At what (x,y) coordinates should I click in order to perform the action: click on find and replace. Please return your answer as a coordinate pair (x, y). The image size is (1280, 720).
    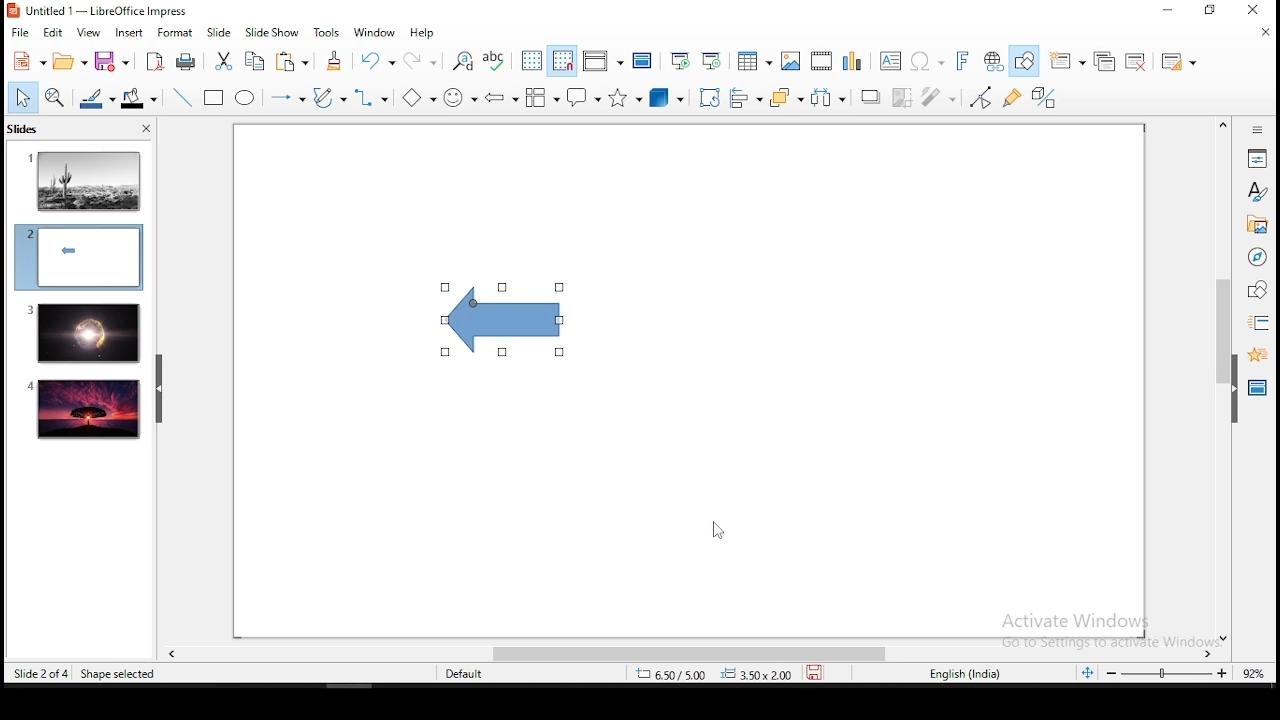
    Looking at the image, I should click on (463, 59).